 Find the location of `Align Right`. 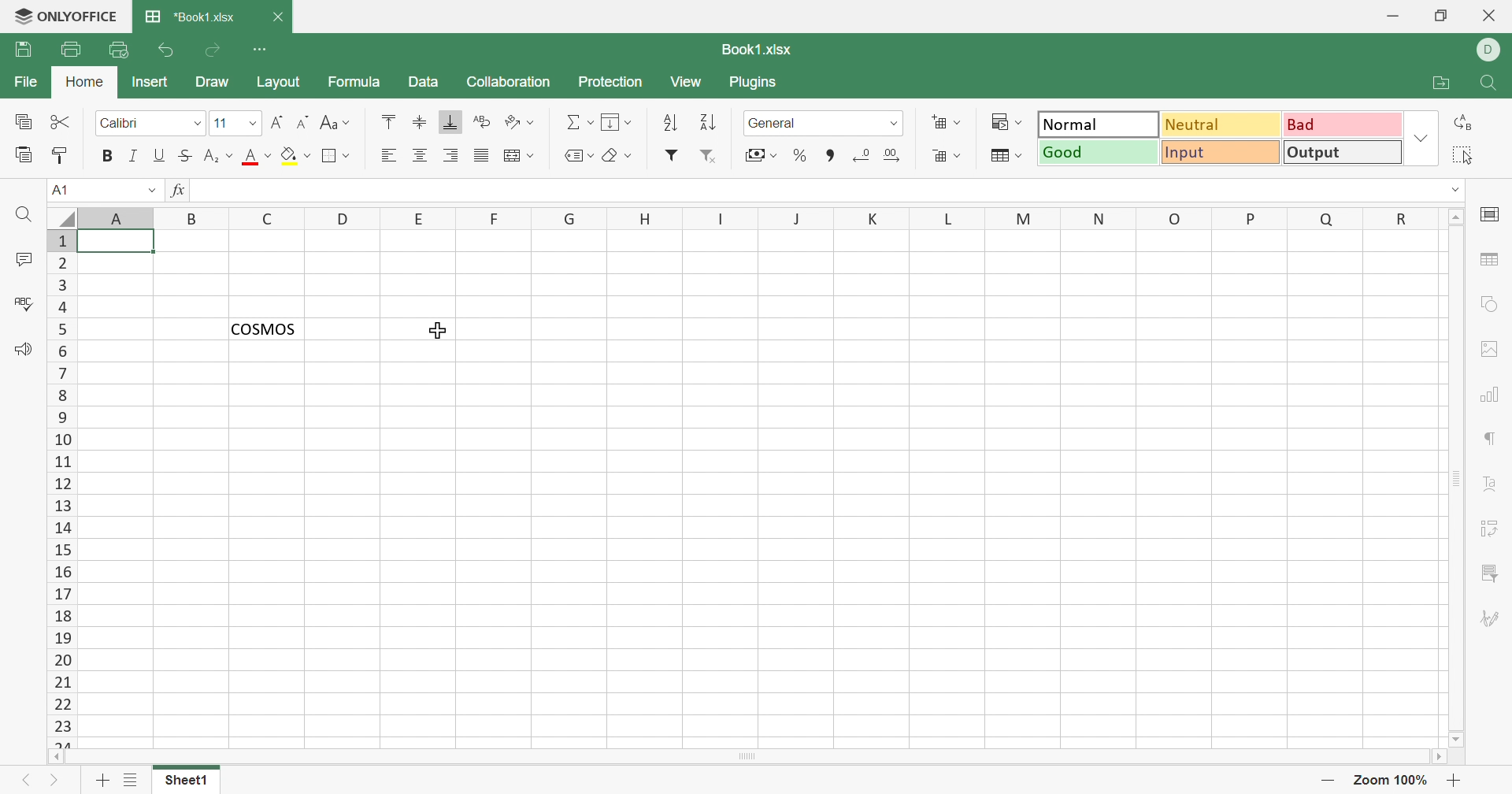

Align Right is located at coordinates (451, 158).